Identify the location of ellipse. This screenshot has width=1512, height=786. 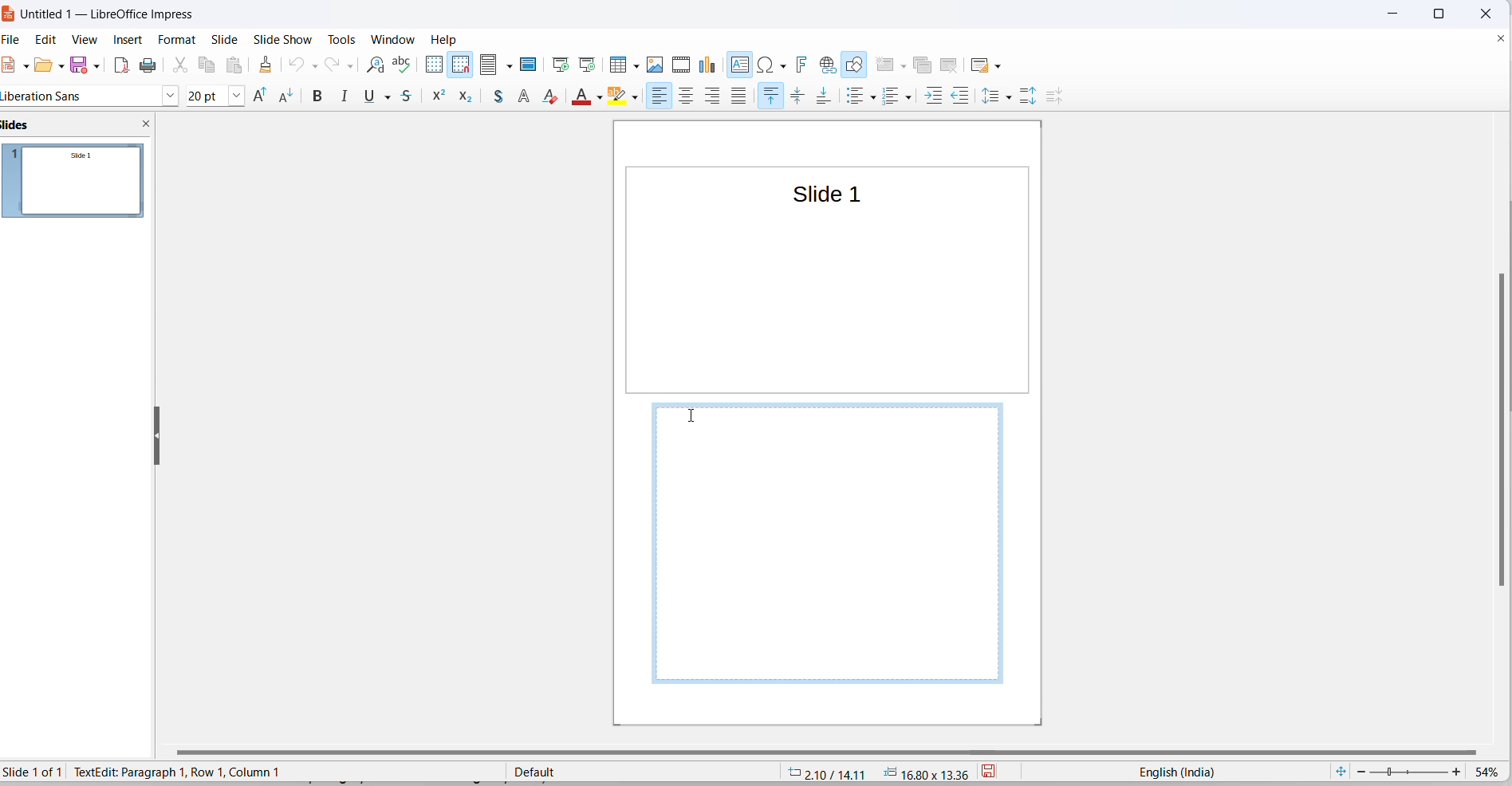
(199, 96).